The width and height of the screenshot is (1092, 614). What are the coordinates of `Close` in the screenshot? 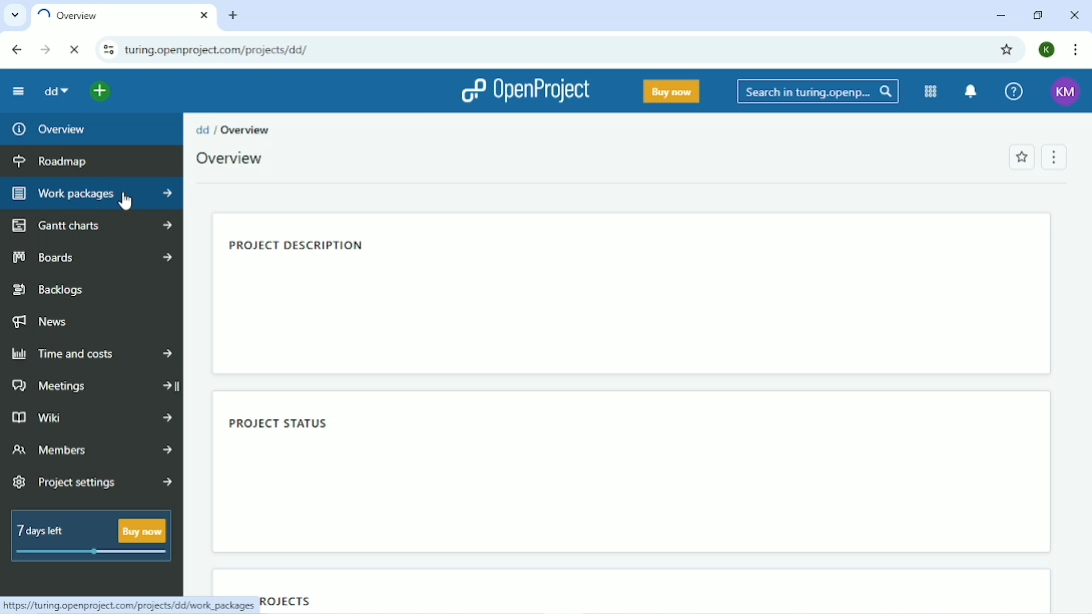 It's located at (1074, 15).